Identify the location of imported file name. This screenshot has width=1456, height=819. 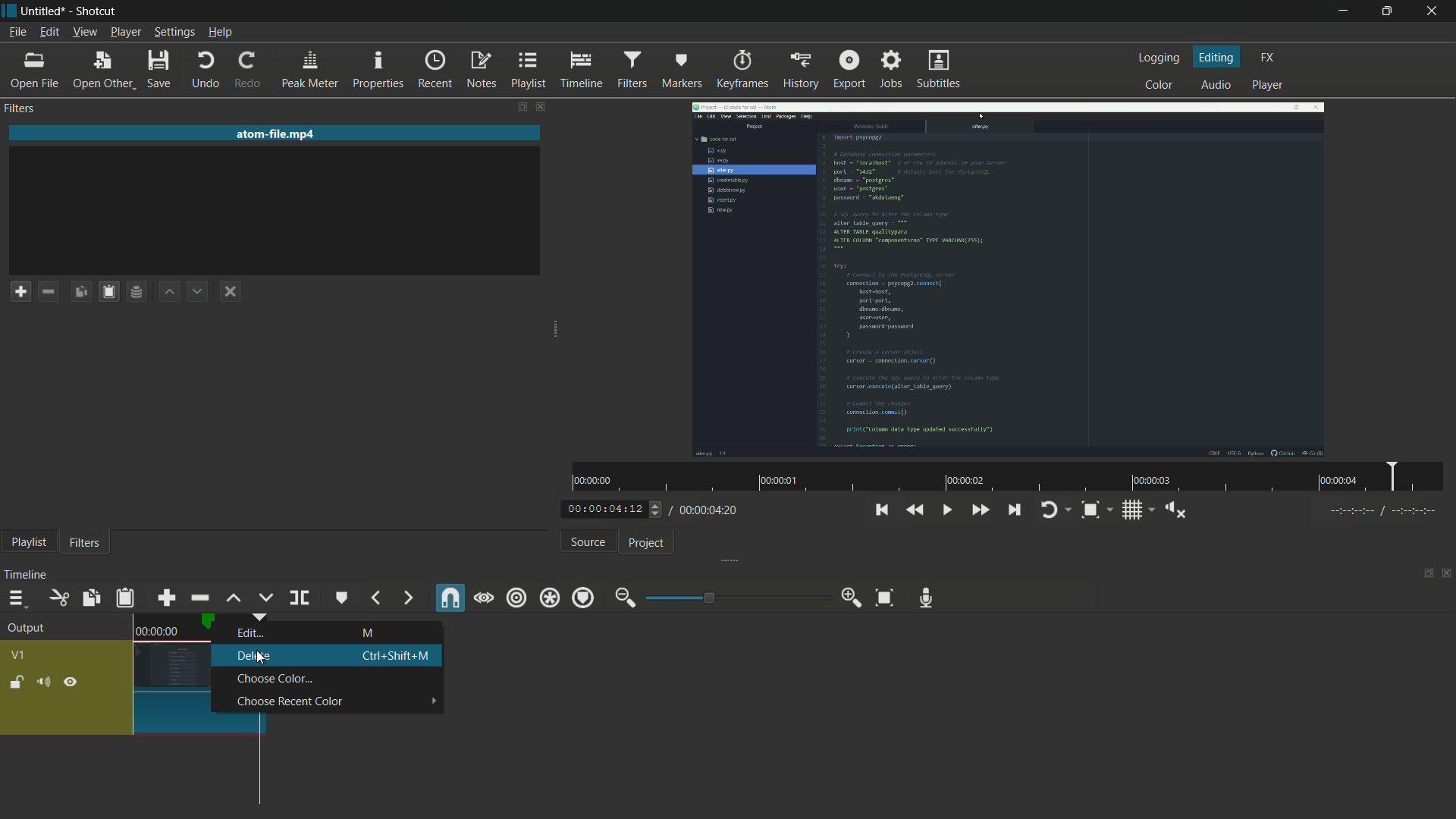
(277, 134).